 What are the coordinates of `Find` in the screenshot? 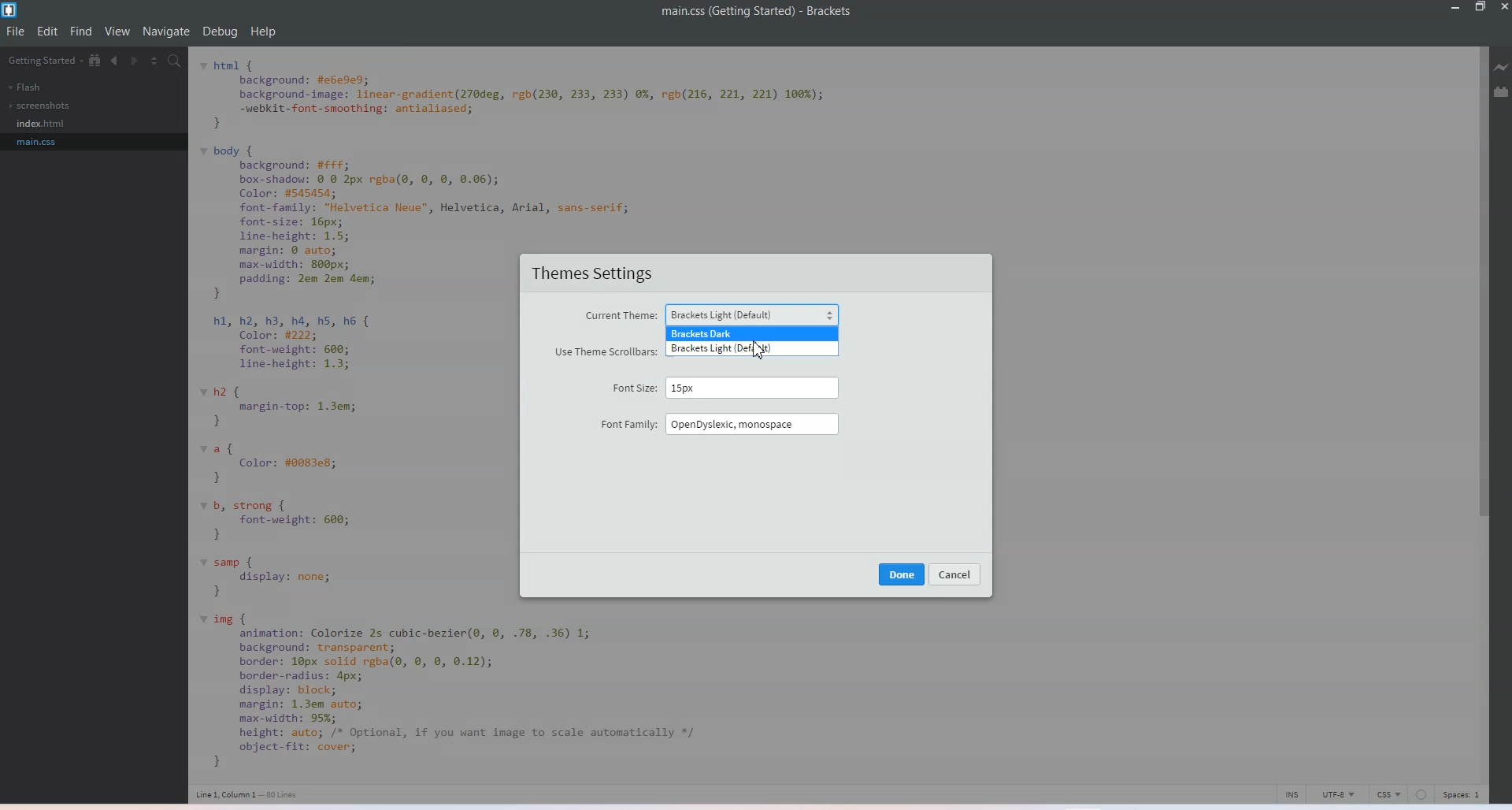 It's located at (81, 31).